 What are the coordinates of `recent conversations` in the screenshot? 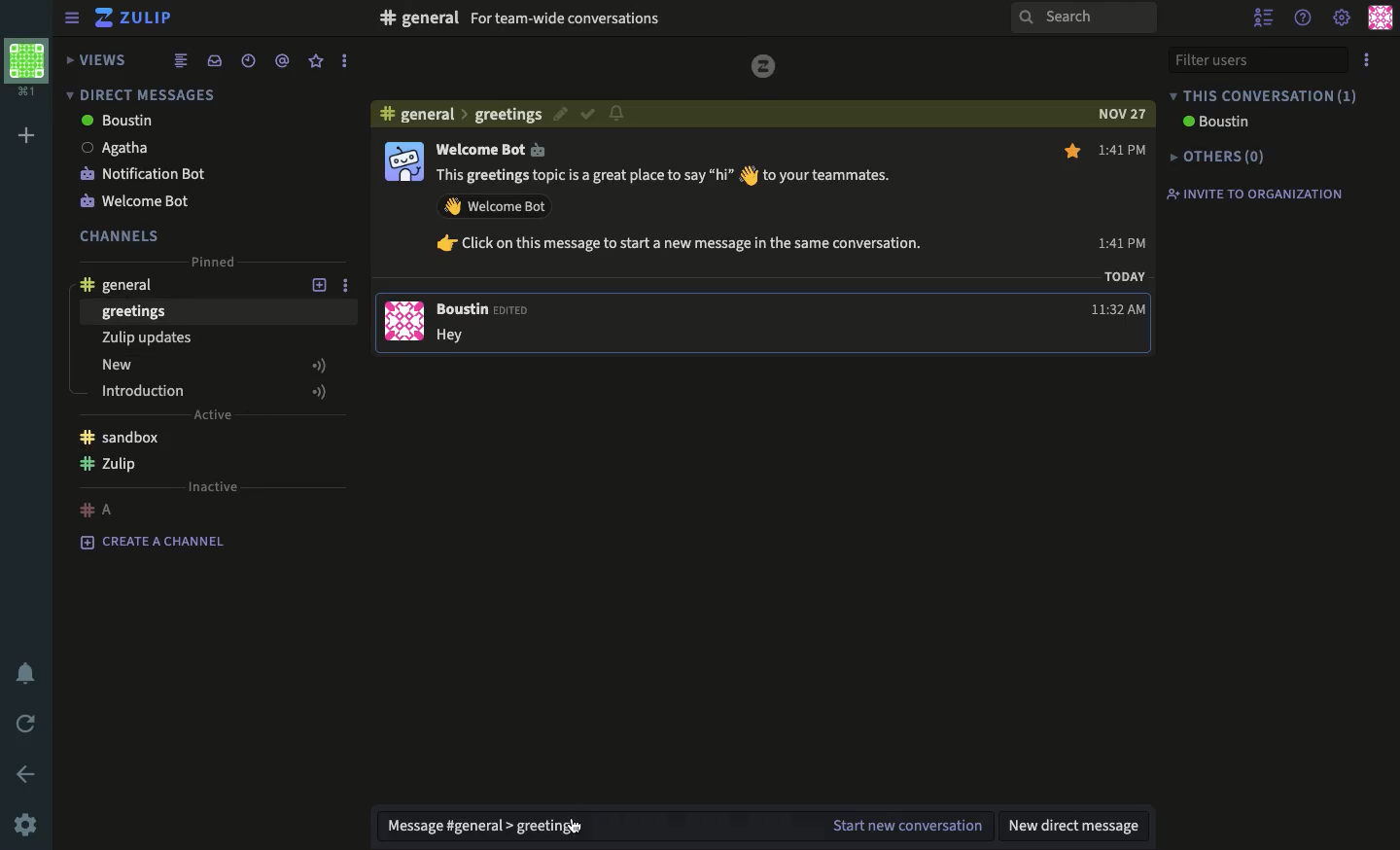 It's located at (249, 61).